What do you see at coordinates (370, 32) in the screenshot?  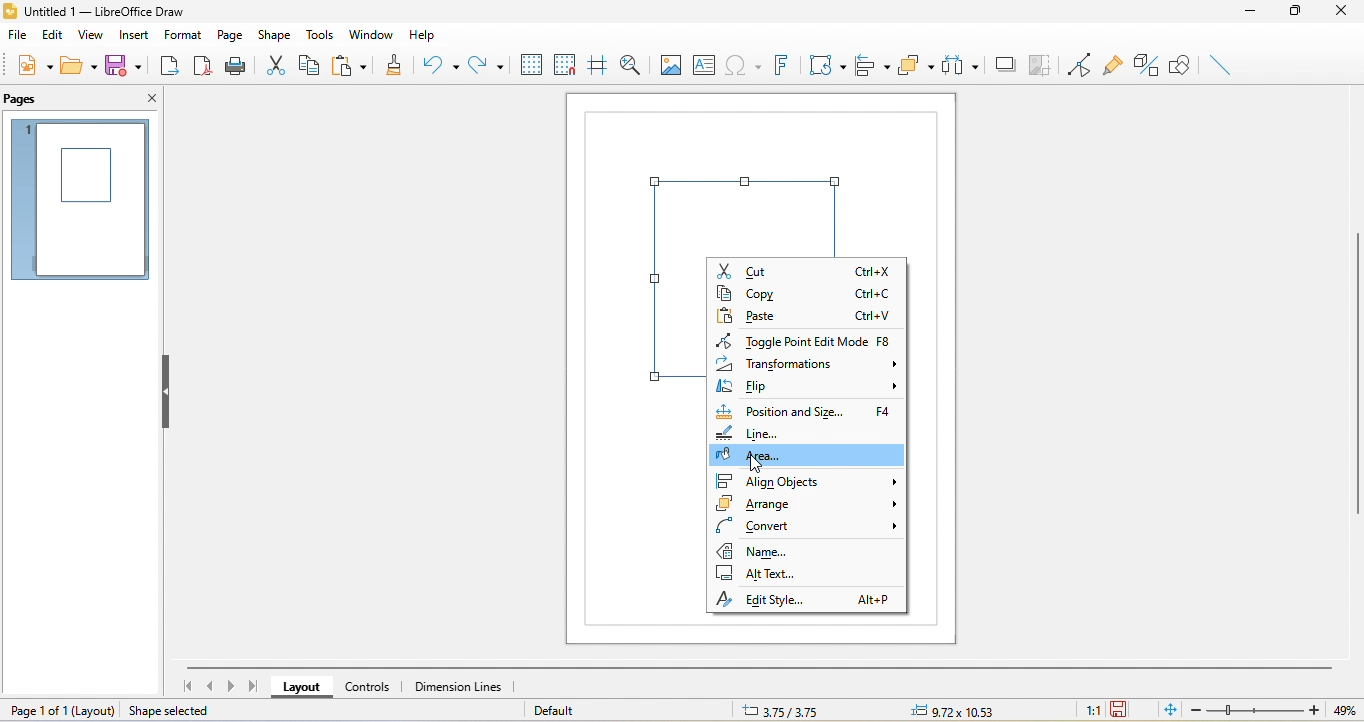 I see `window` at bounding box center [370, 32].